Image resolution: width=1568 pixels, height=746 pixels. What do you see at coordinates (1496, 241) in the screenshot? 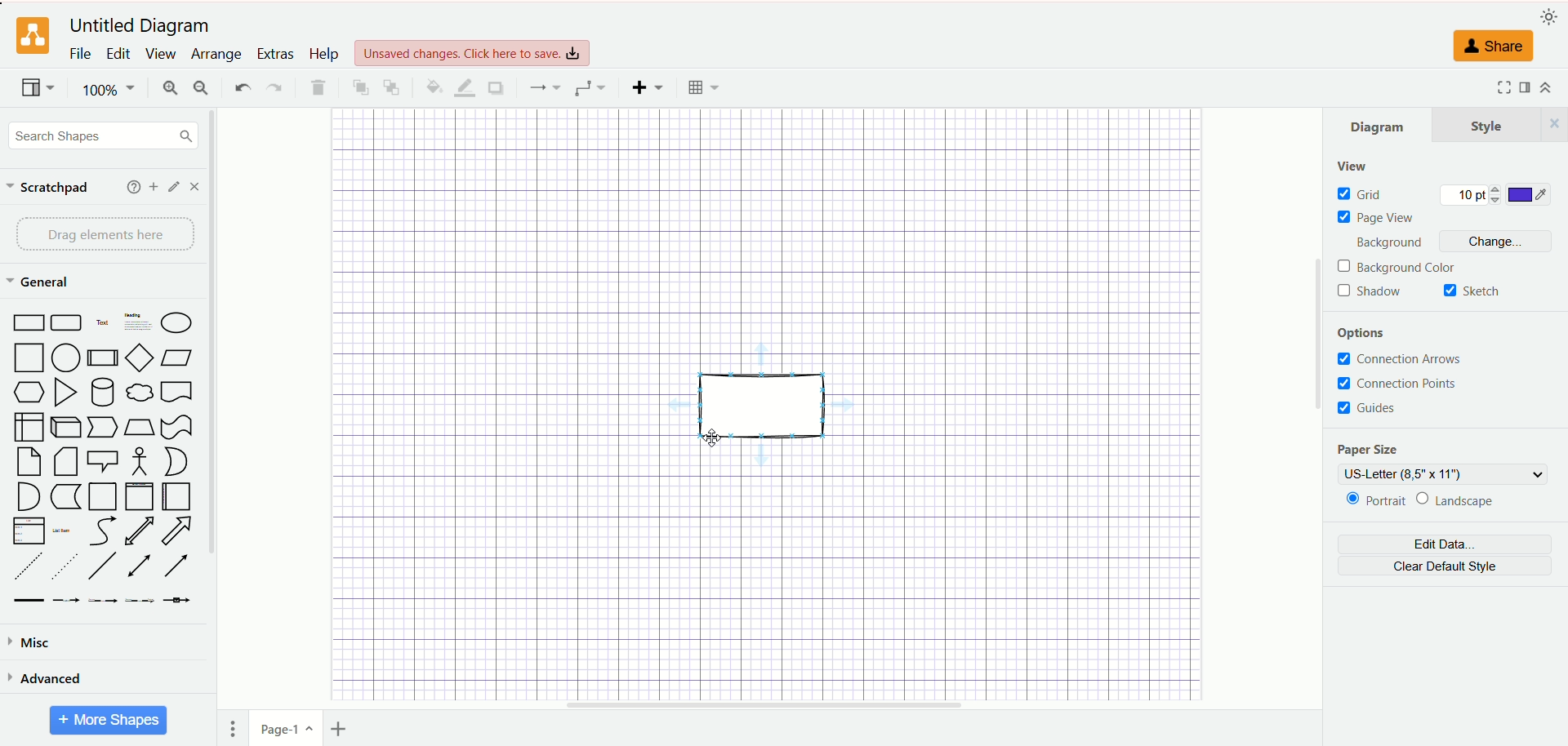
I see `change` at bounding box center [1496, 241].